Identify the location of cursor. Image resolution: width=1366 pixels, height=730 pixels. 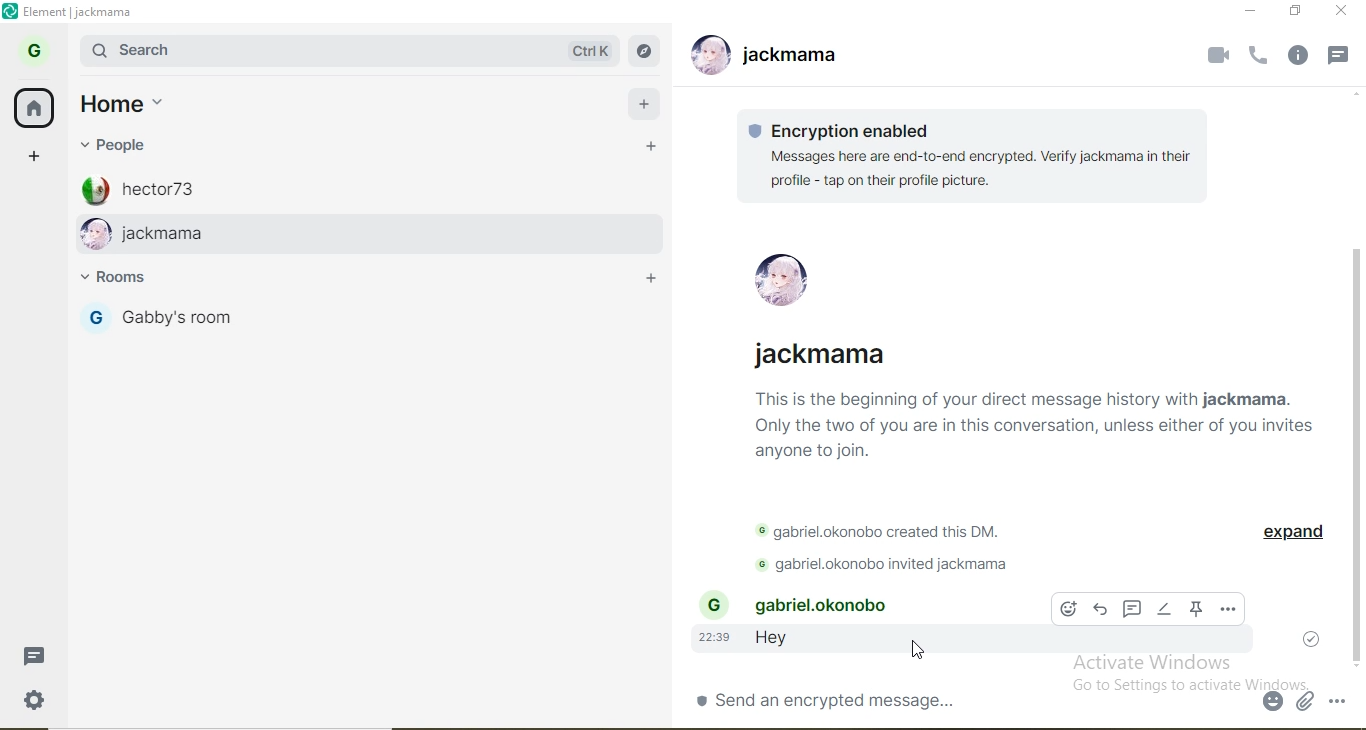
(918, 652).